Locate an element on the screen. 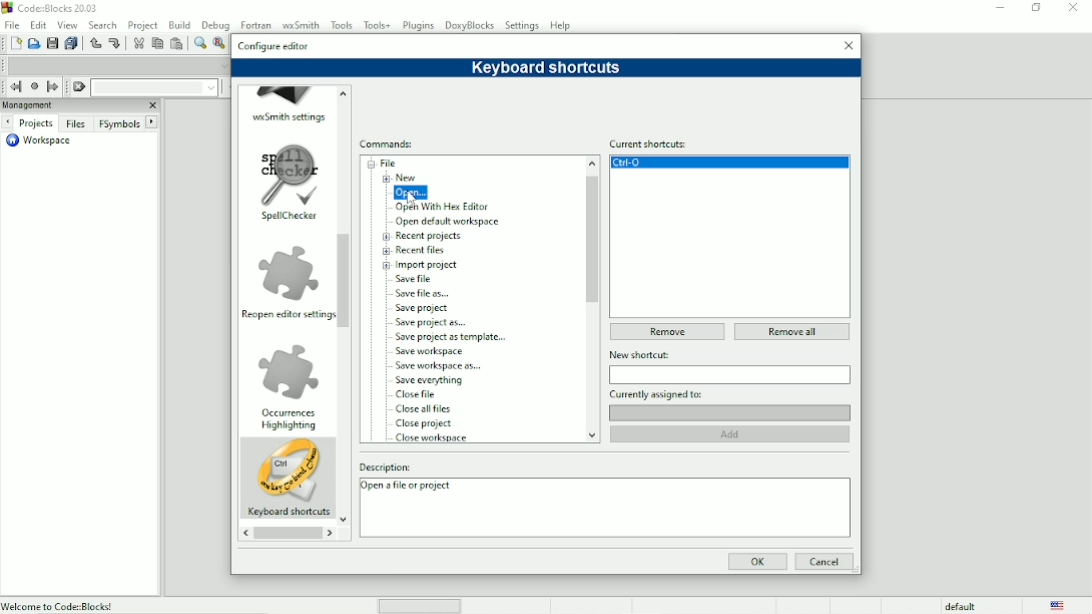 Image resolution: width=1092 pixels, height=614 pixels. Cursor is located at coordinates (412, 199).